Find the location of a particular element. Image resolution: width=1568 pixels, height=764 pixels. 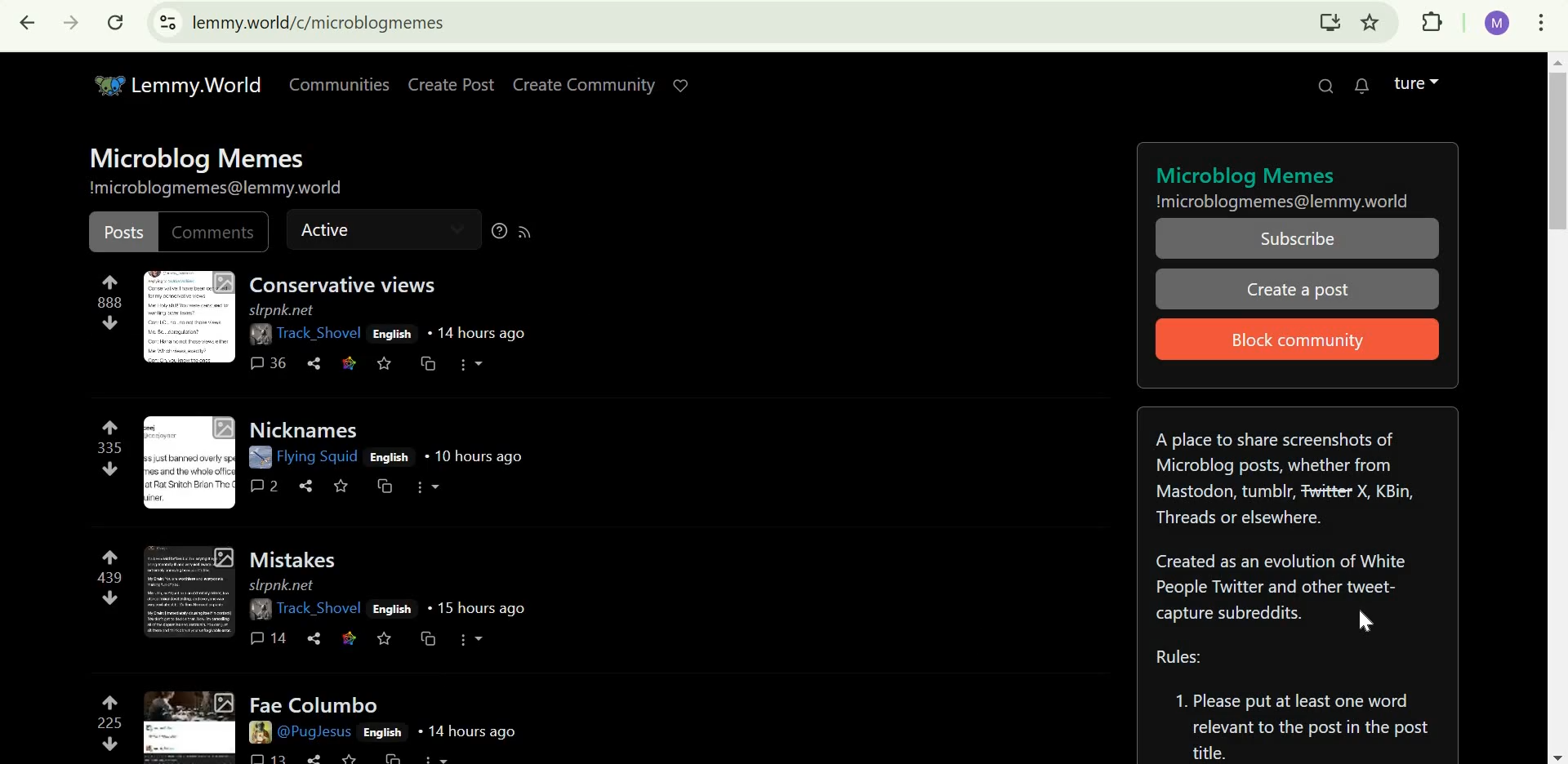

14 hours ago is located at coordinates (475, 333).